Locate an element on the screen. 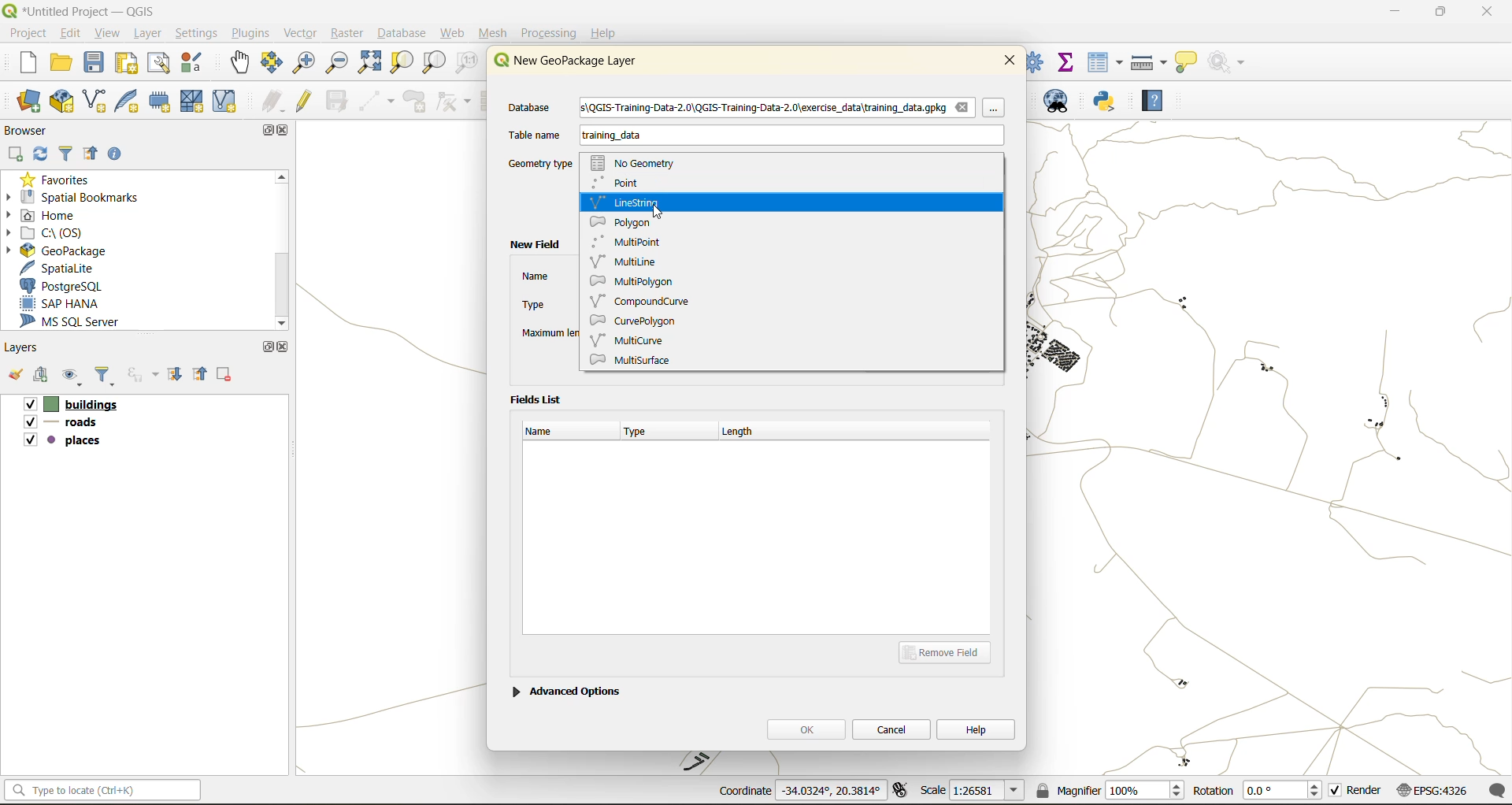  advanced options is located at coordinates (566, 689).